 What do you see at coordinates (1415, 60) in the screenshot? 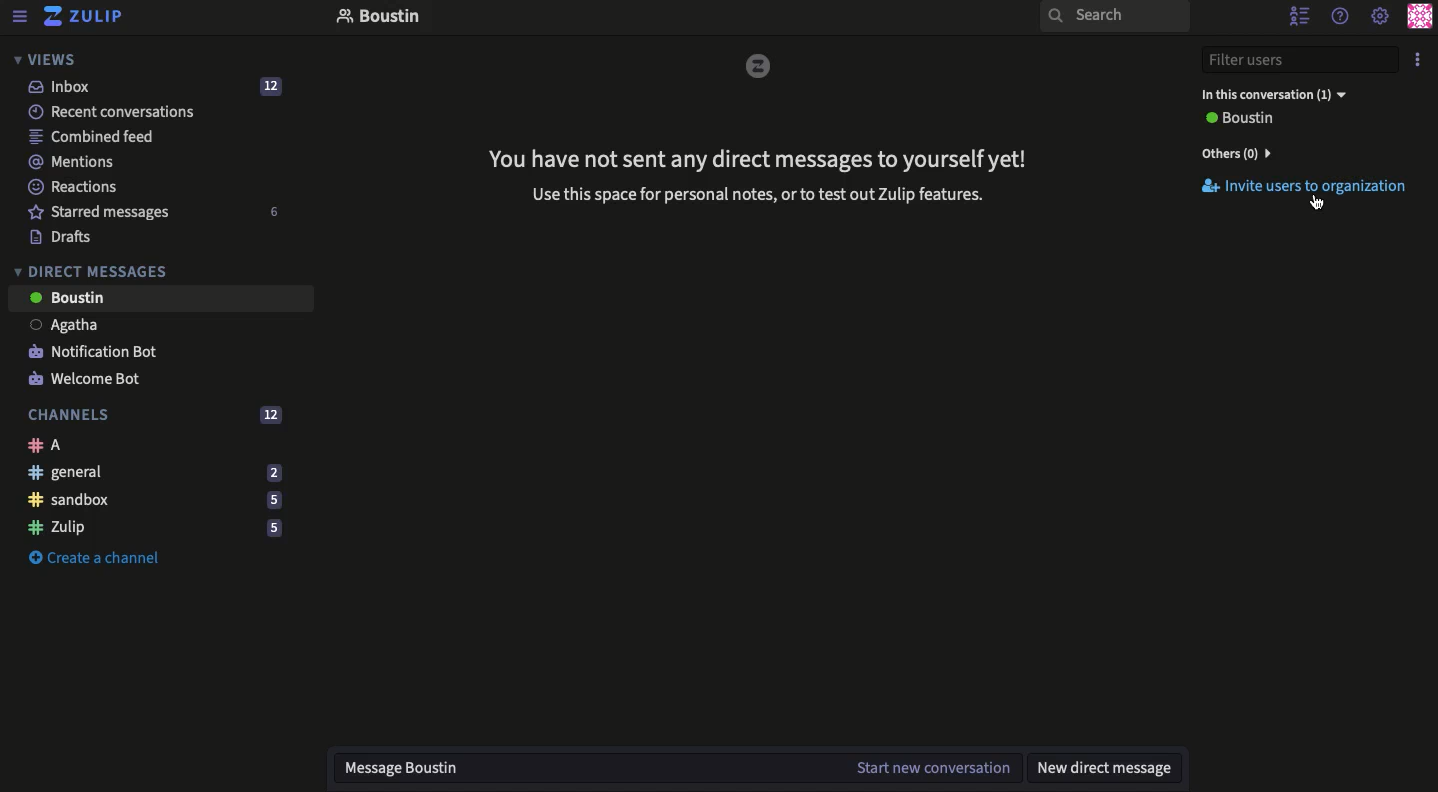
I see `Options` at bounding box center [1415, 60].